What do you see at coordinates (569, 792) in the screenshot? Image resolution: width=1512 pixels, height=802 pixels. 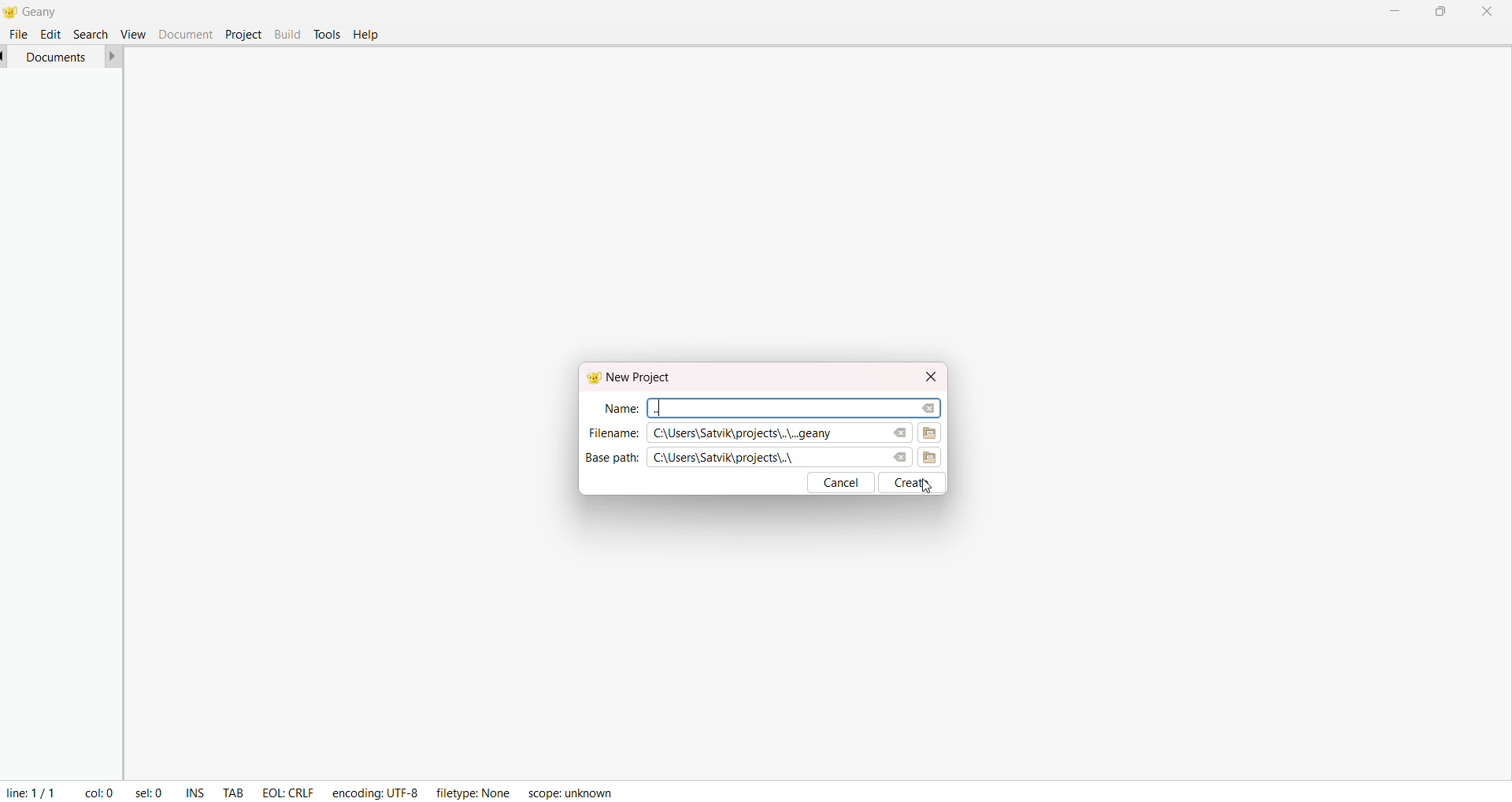 I see `scope: unknown` at bounding box center [569, 792].